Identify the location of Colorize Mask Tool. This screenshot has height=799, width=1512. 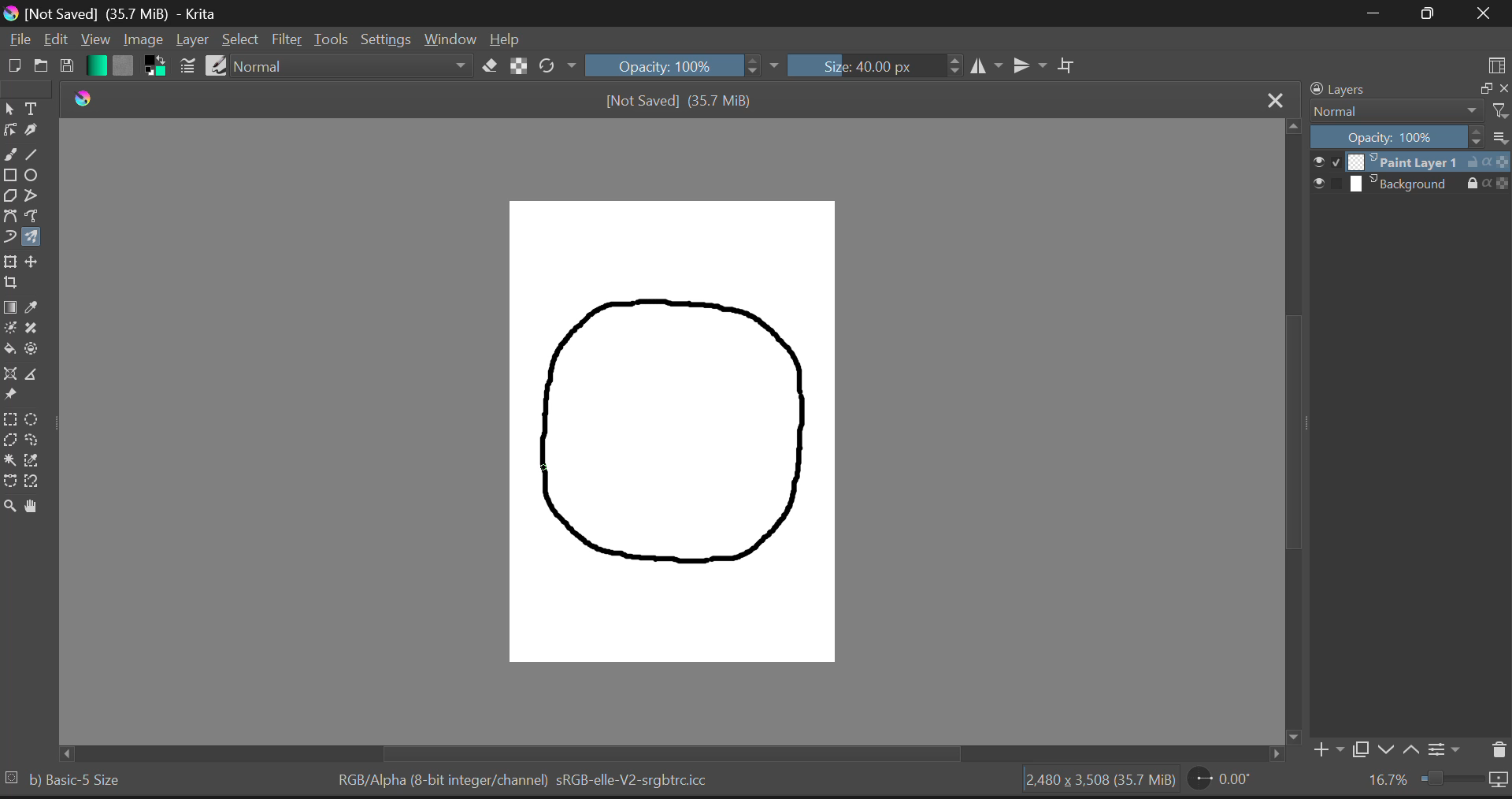
(9, 330).